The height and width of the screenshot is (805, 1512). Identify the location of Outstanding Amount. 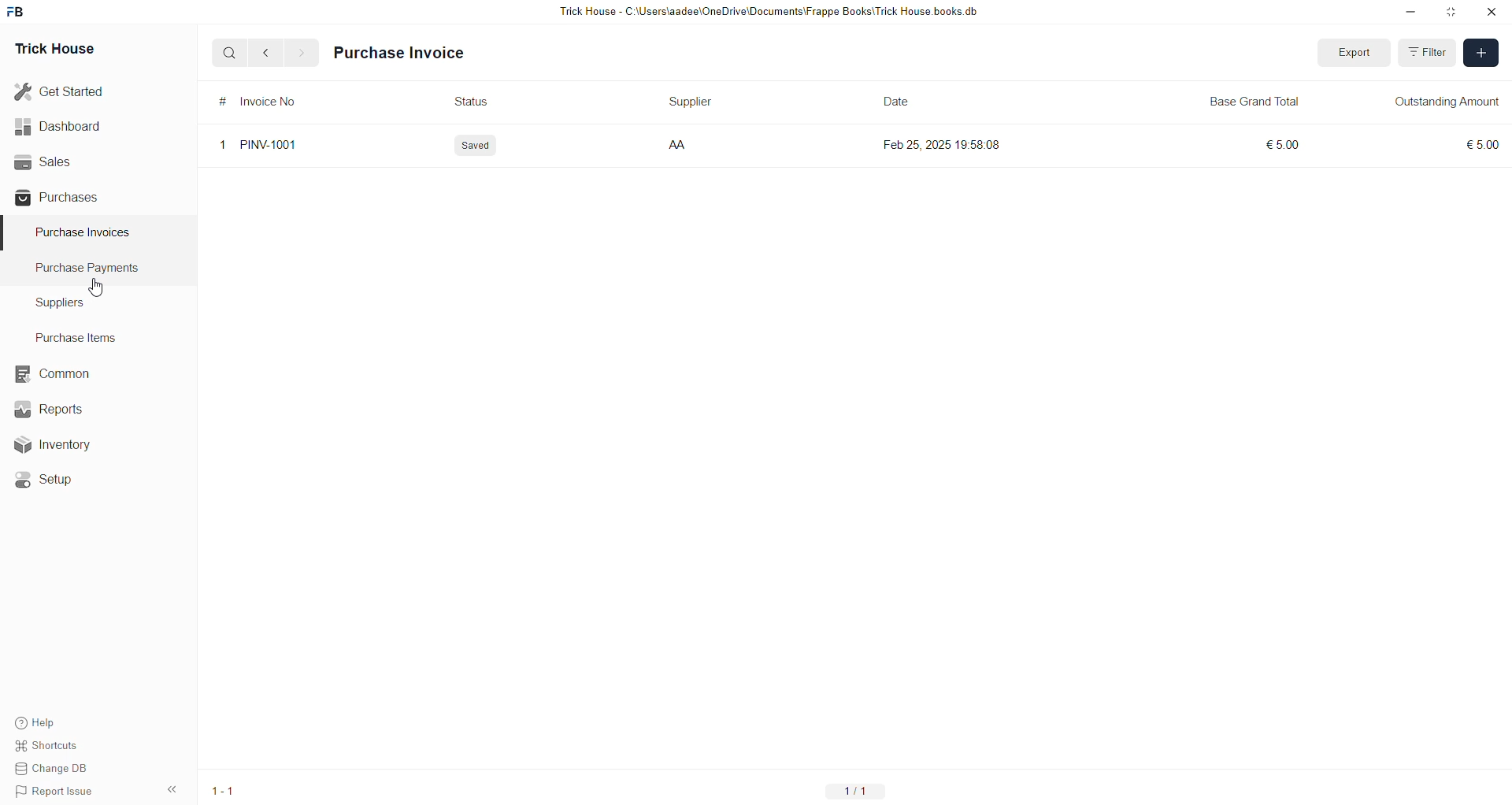
(1449, 103).